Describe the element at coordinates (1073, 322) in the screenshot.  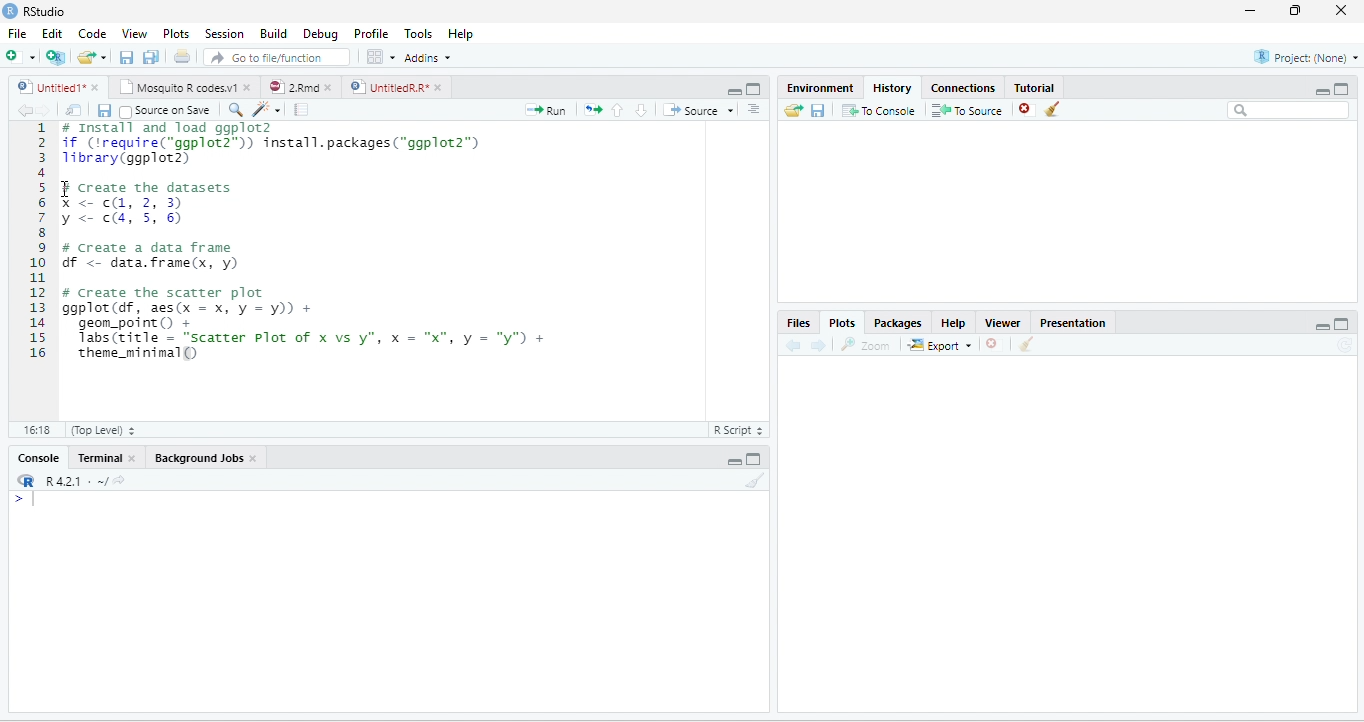
I see `Presentation` at that location.